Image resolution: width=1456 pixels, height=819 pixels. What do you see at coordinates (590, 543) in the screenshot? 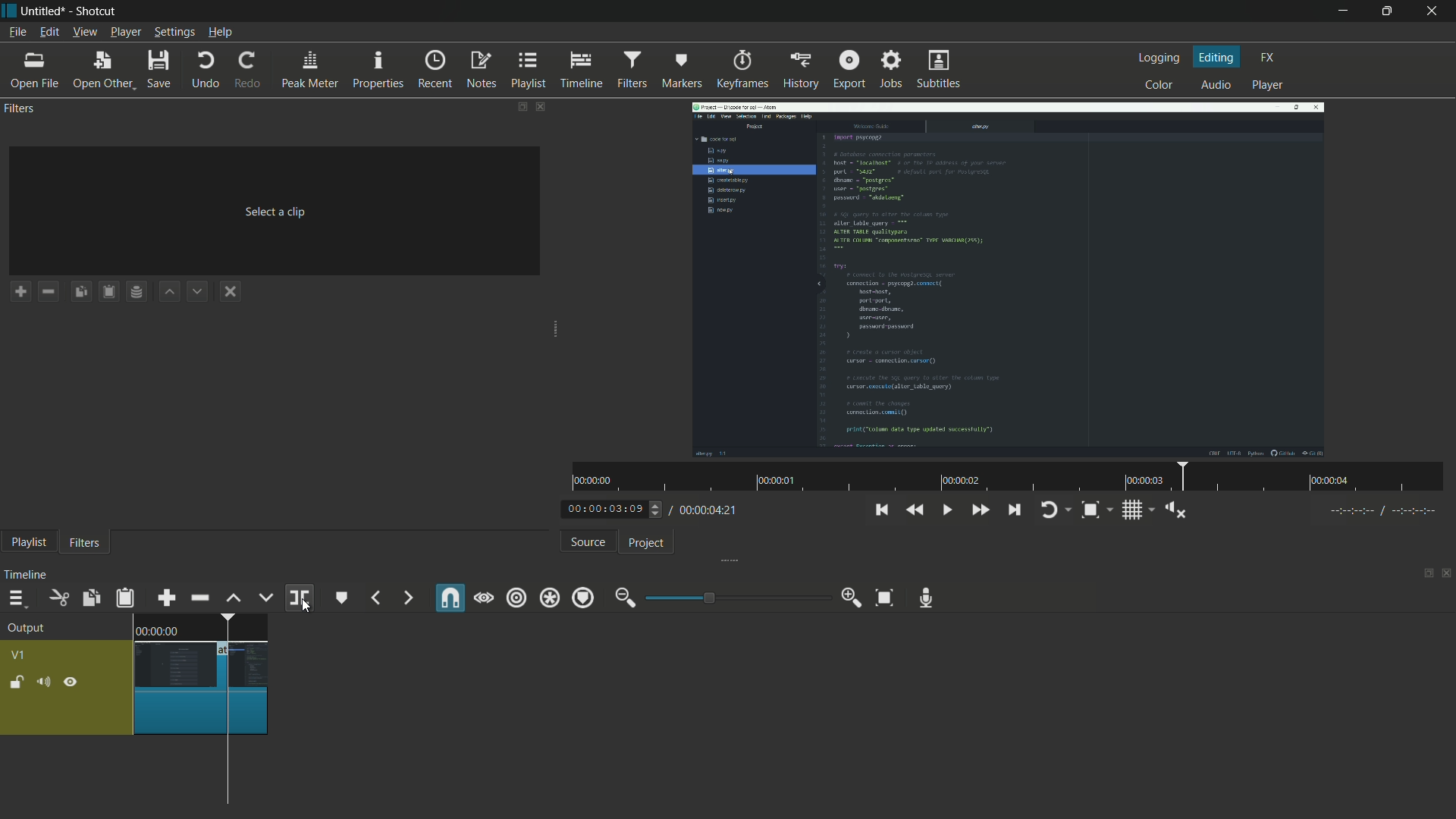
I see `source` at bounding box center [590, 543].